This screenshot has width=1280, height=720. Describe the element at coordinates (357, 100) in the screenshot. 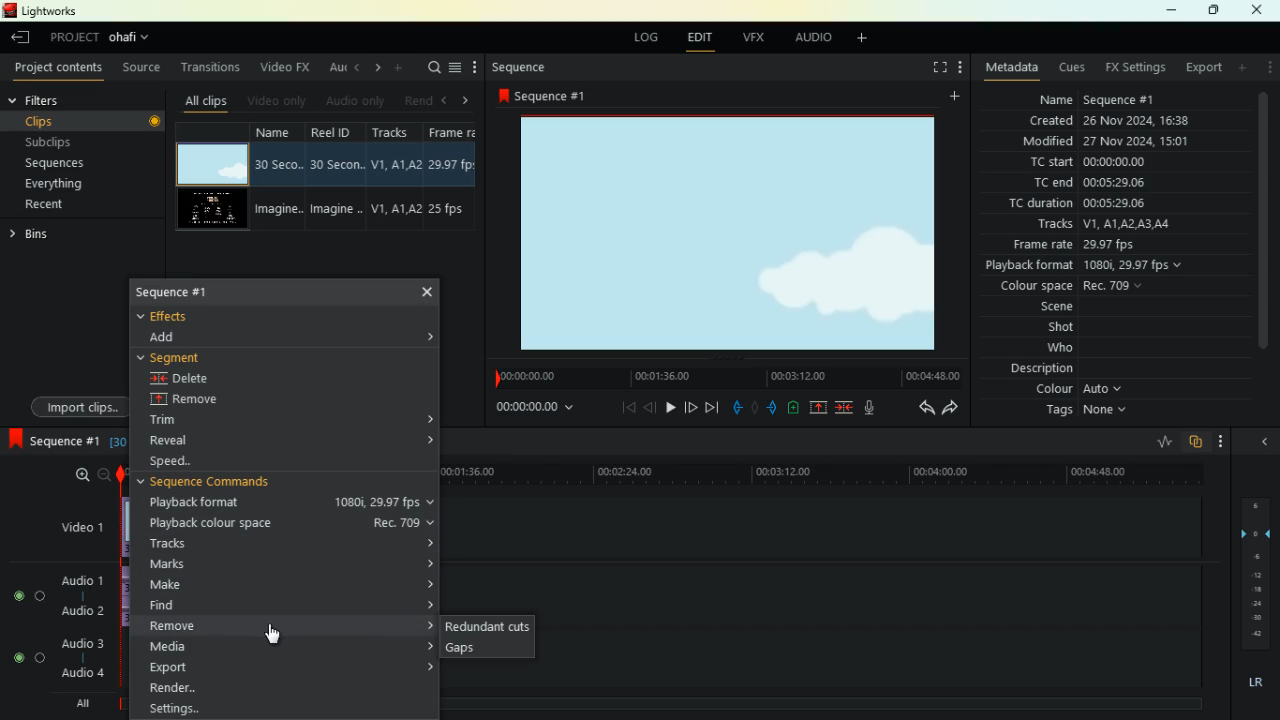

I see `audio only` at that location.